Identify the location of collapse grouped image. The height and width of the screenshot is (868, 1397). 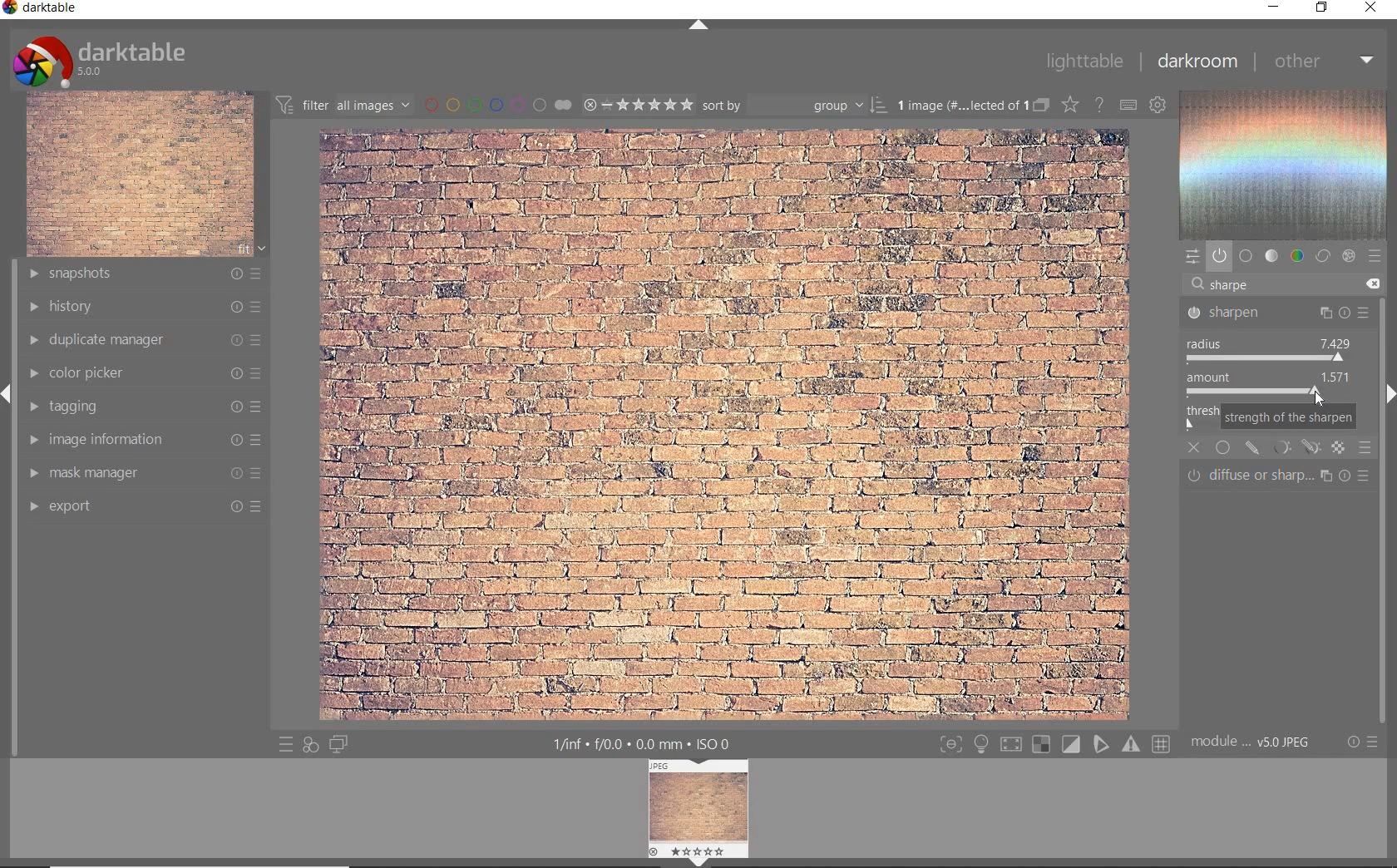
(1040, 106).